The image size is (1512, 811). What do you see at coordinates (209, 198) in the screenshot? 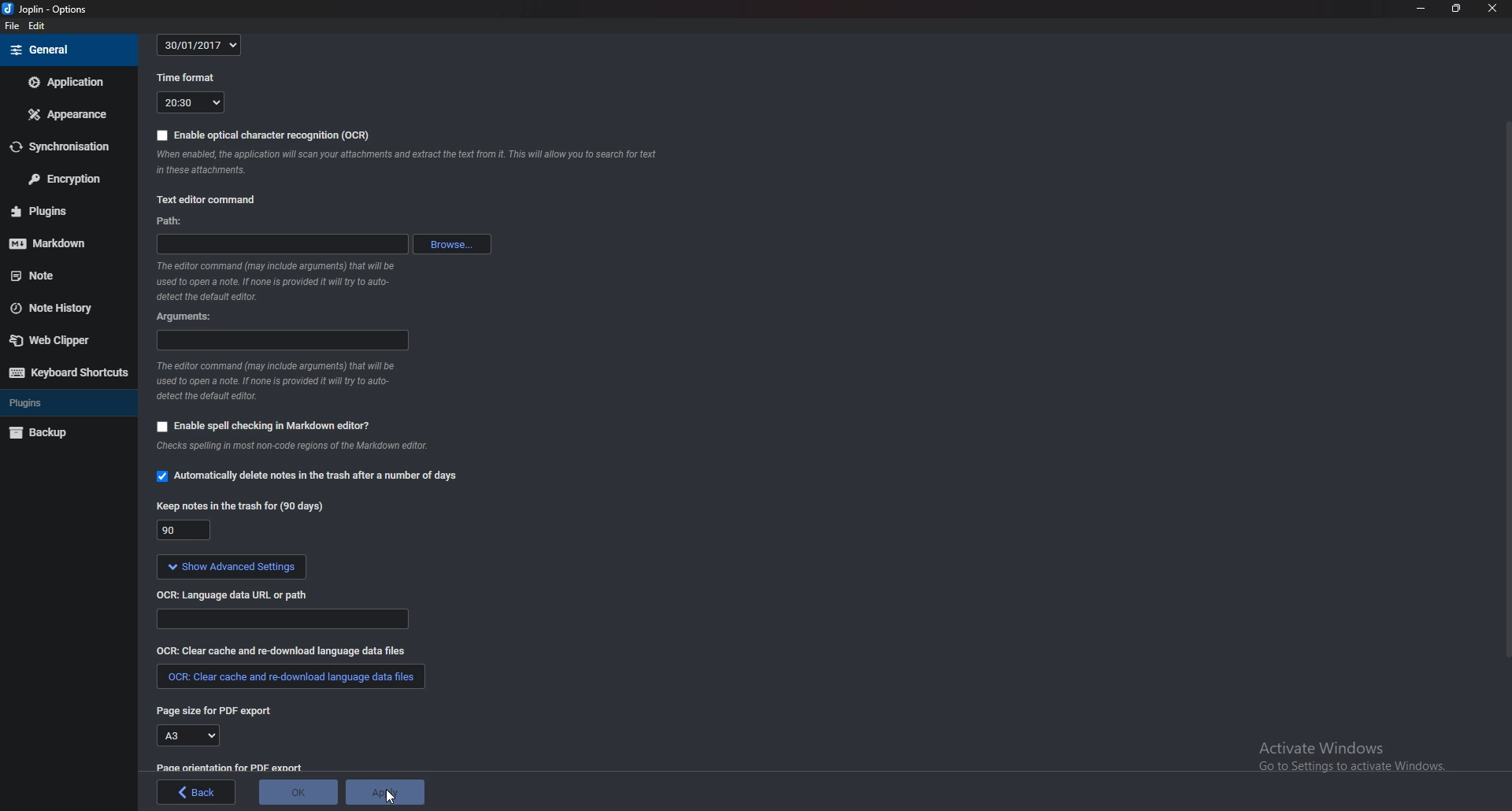
I see `Text editor command` at bounding box center [209, 198].